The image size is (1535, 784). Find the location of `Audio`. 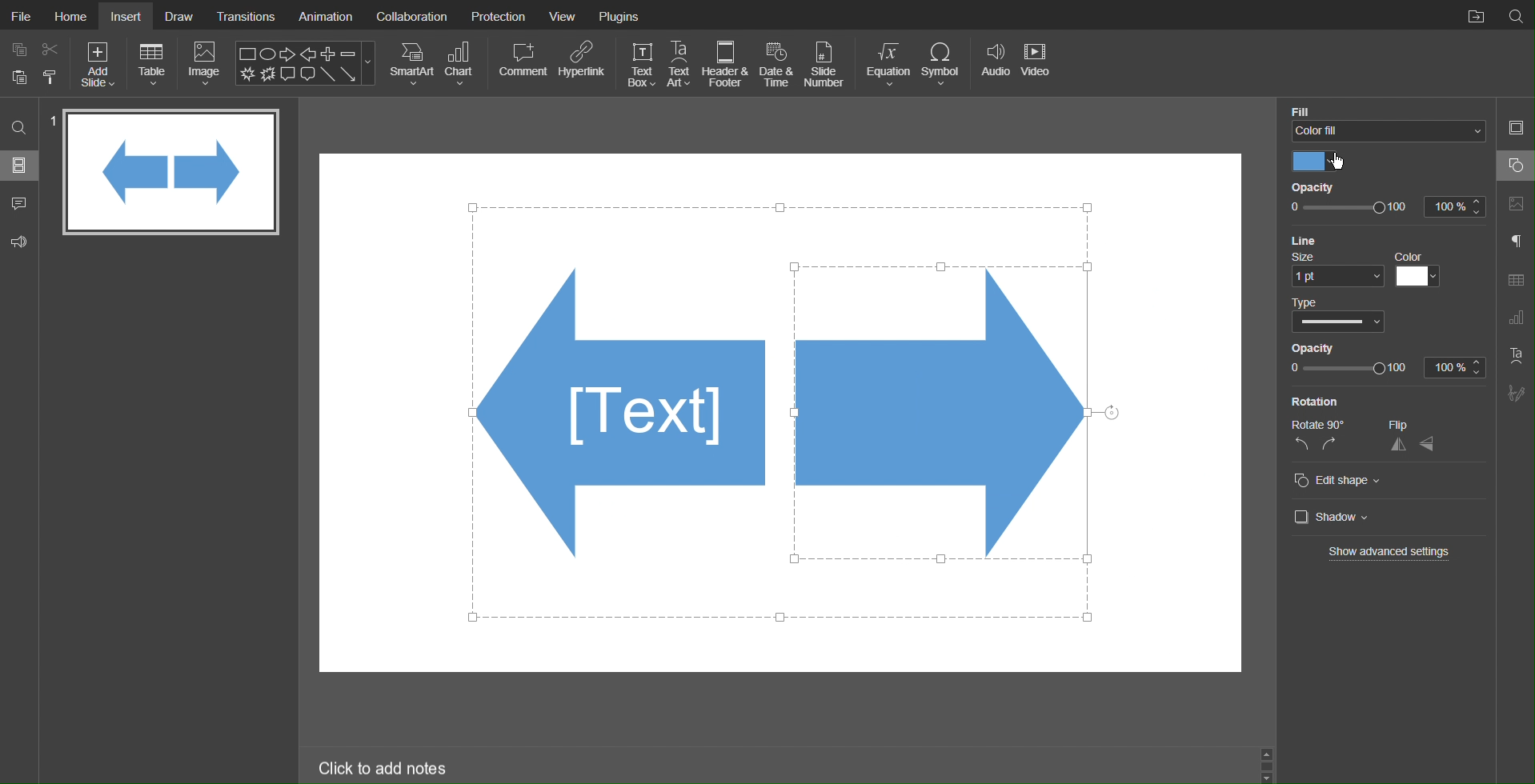

Audio is located at coordinates (993, 63).